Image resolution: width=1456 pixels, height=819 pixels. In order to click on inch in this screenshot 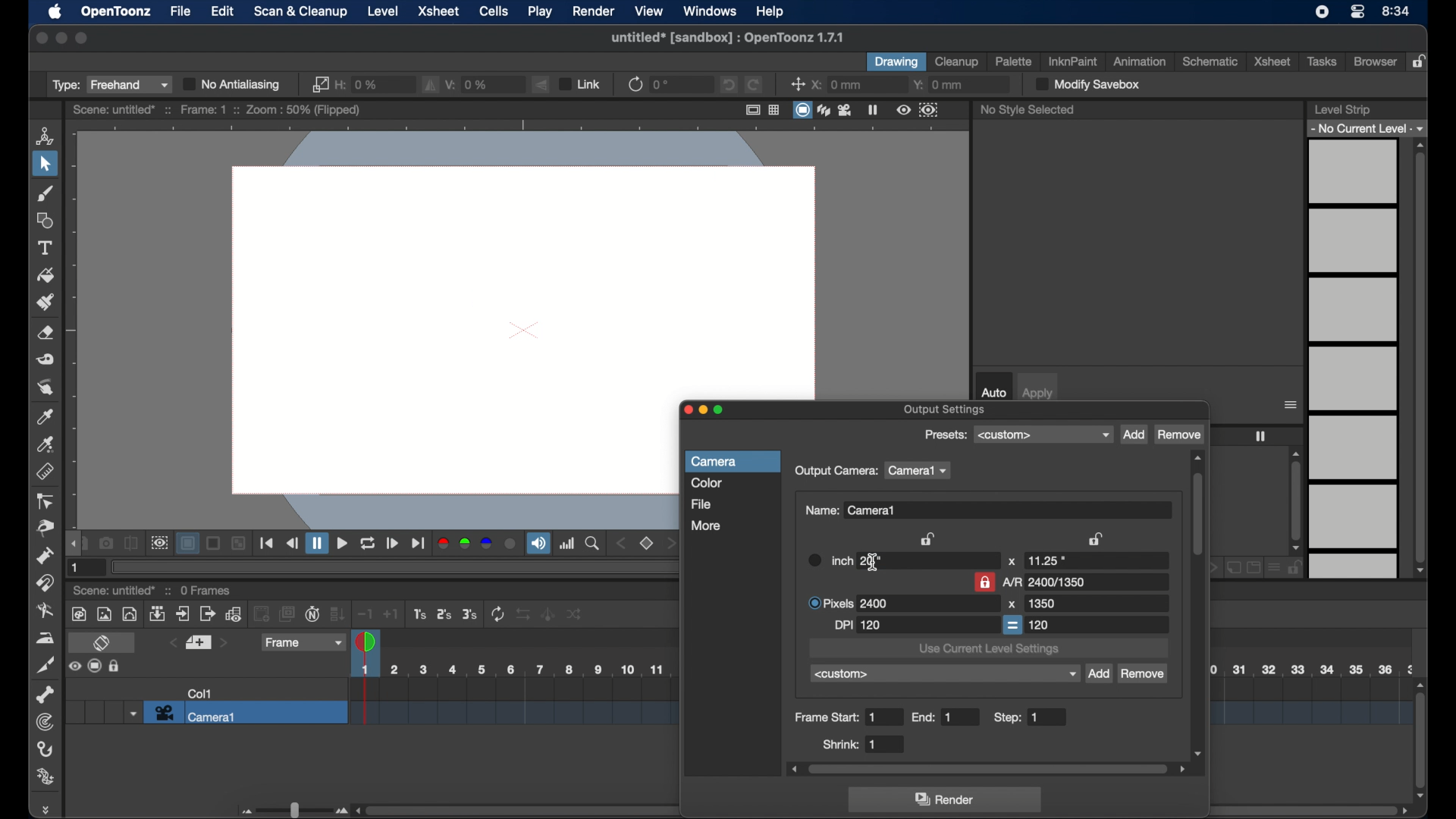, I will do `click(829, 560)`.